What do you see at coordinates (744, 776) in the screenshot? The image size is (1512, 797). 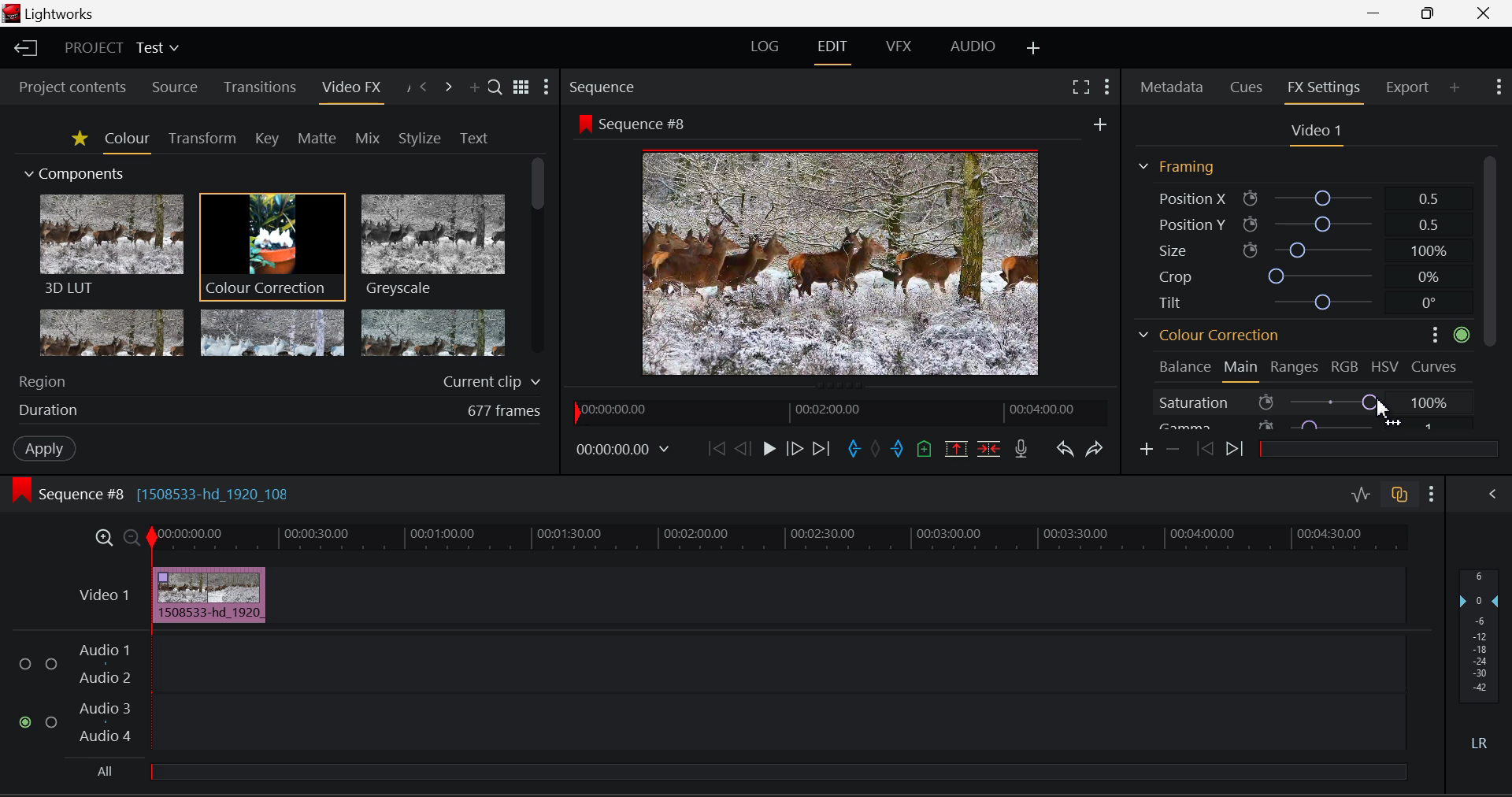 I see `All` at bounding box center [744, 776].